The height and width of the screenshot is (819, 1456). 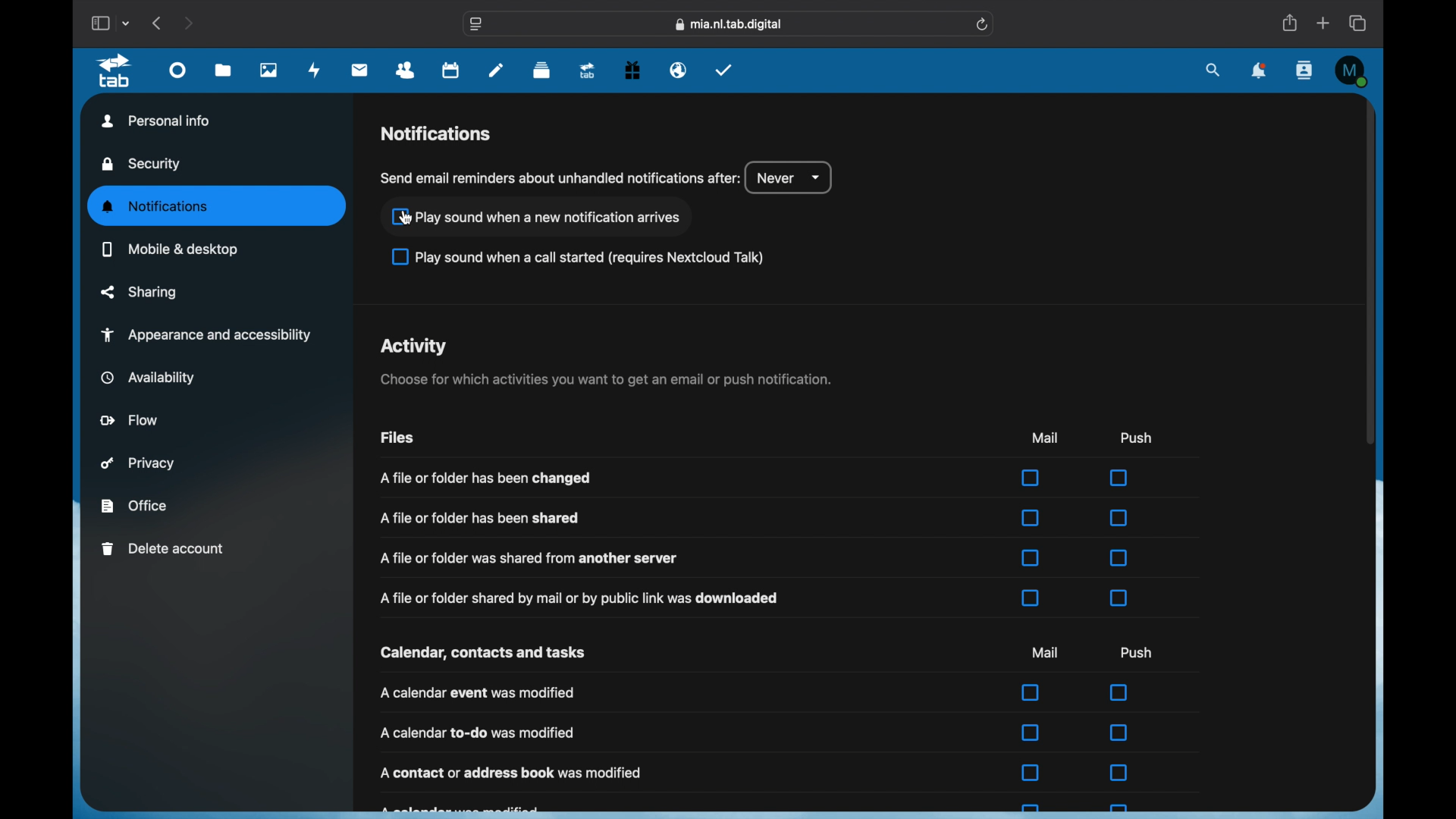 I want to click on next, so click(x=190, y=23).